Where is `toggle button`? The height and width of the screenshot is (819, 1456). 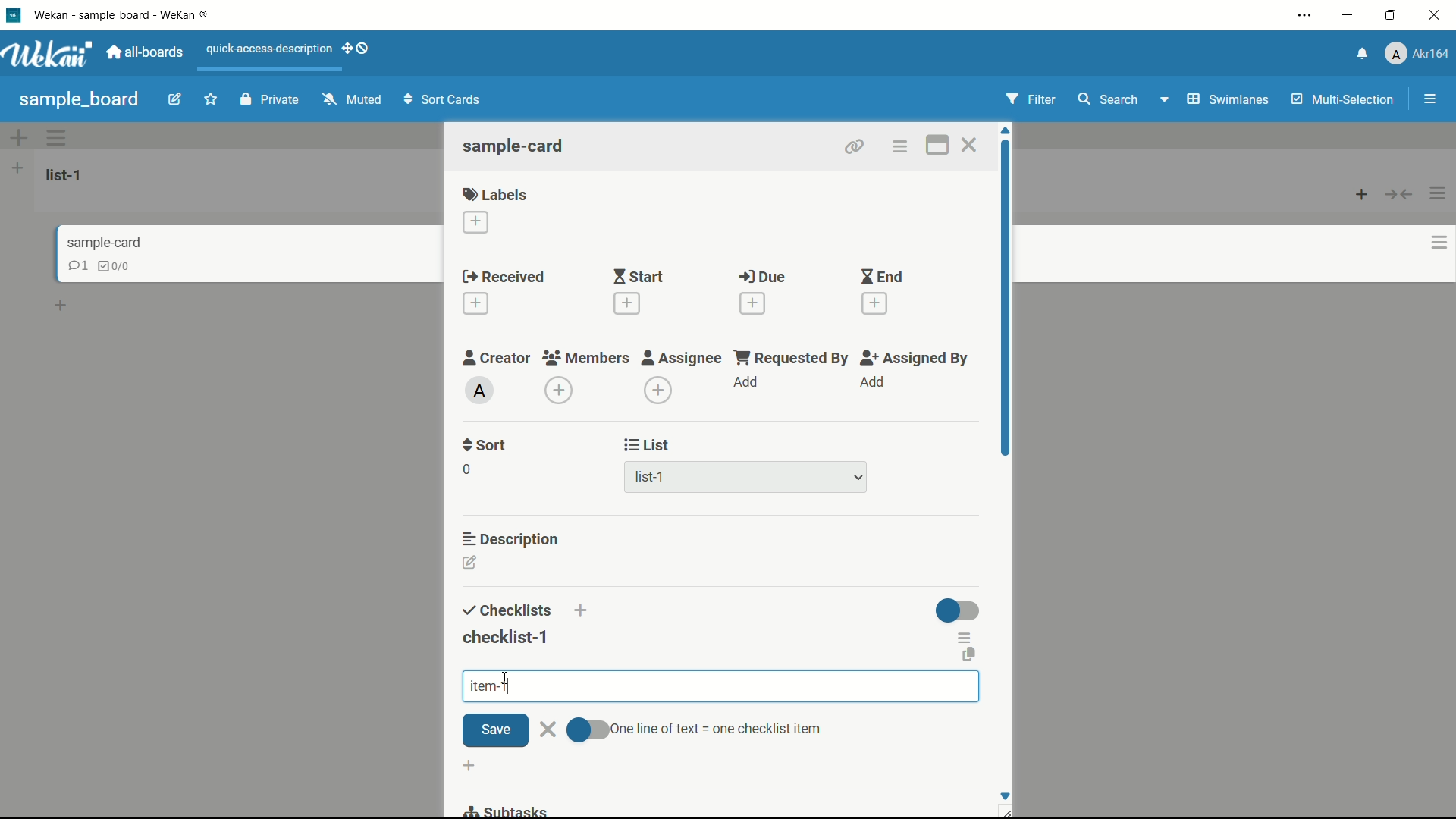 toggle button is located at coordinates (957, 612).